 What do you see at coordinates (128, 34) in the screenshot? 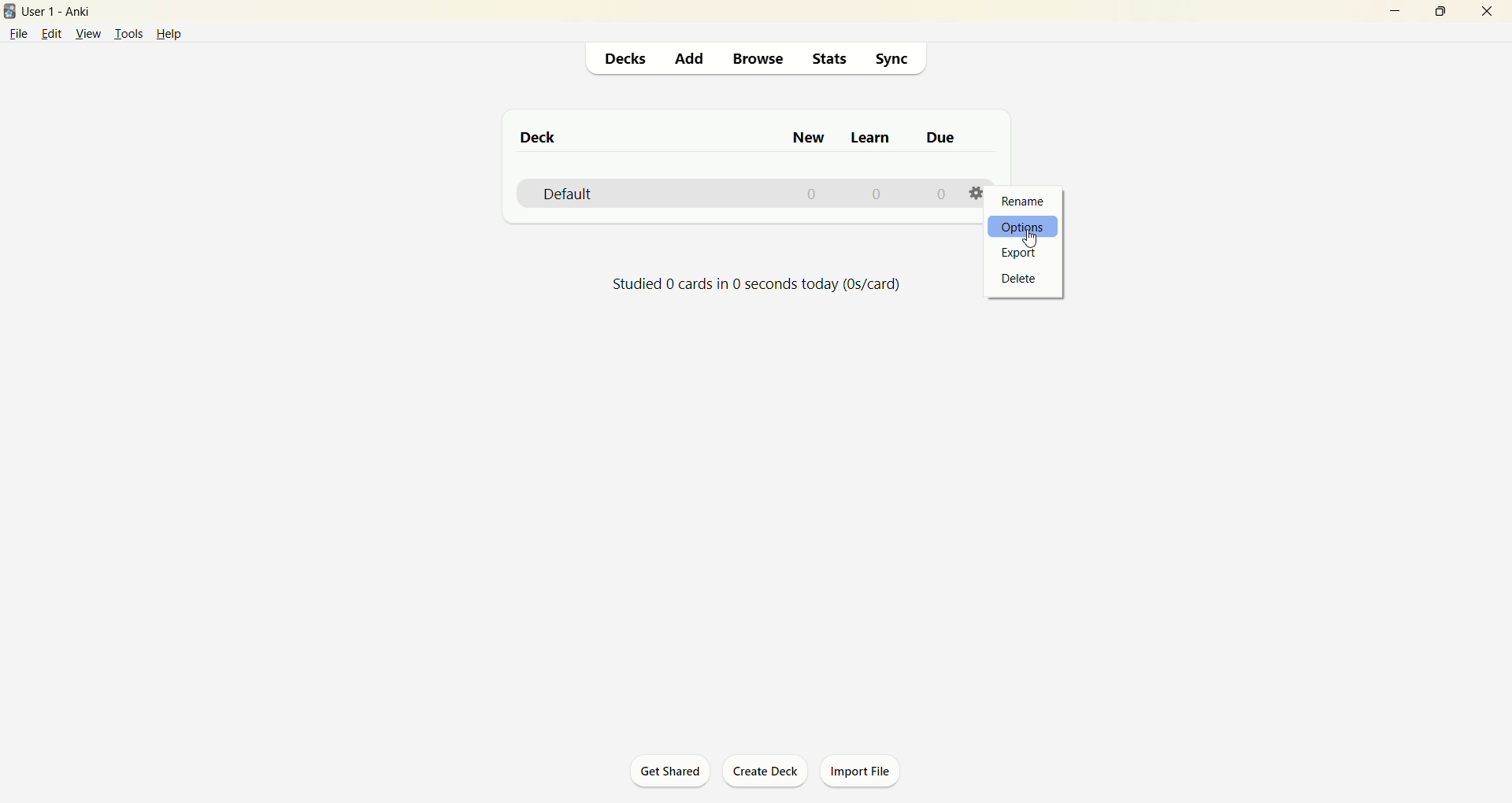
I see `tools` at bounding box center [128, 34].